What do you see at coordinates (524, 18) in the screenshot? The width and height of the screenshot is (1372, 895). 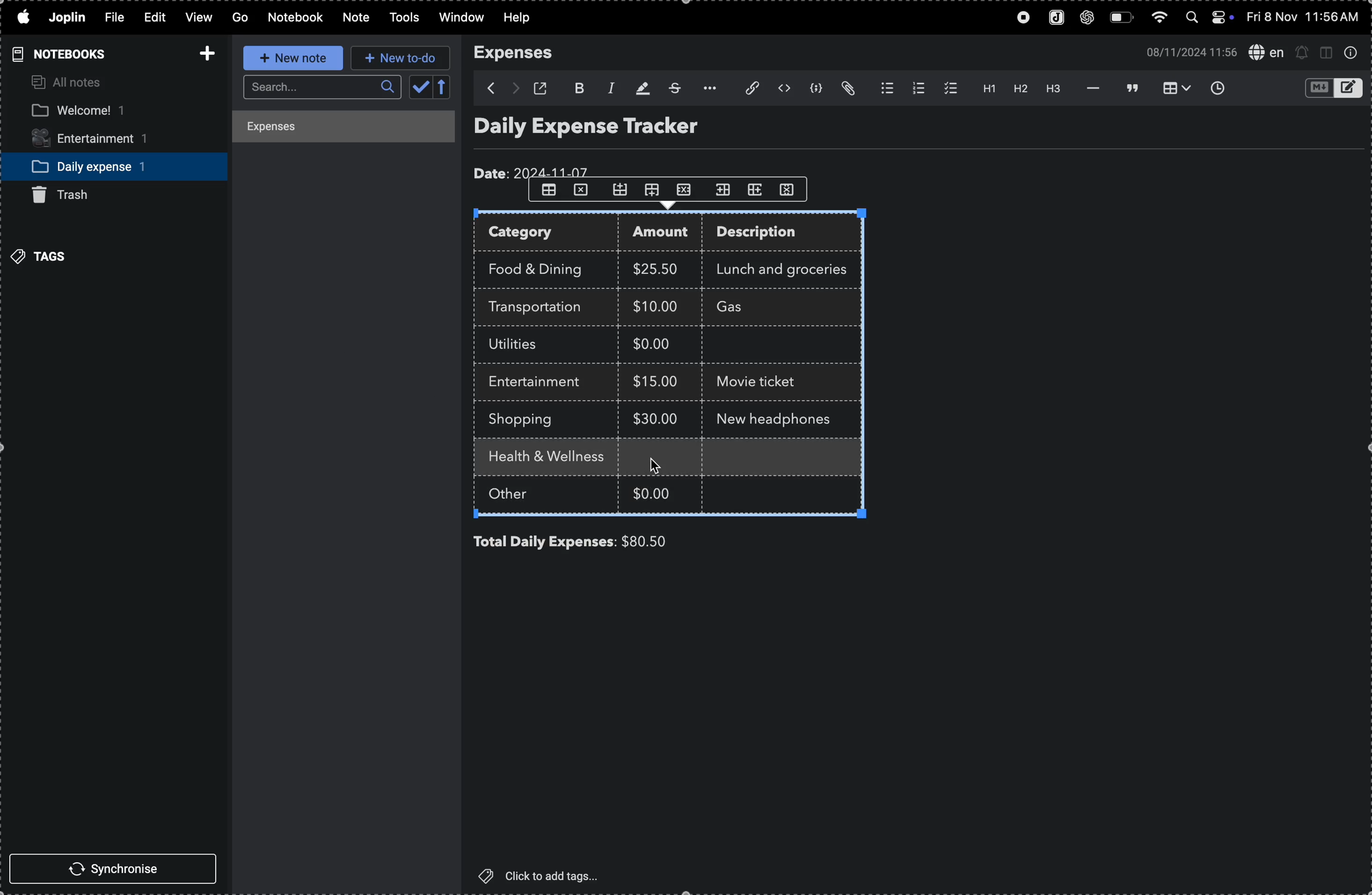 I see `help` at bounding box center [524, 18].